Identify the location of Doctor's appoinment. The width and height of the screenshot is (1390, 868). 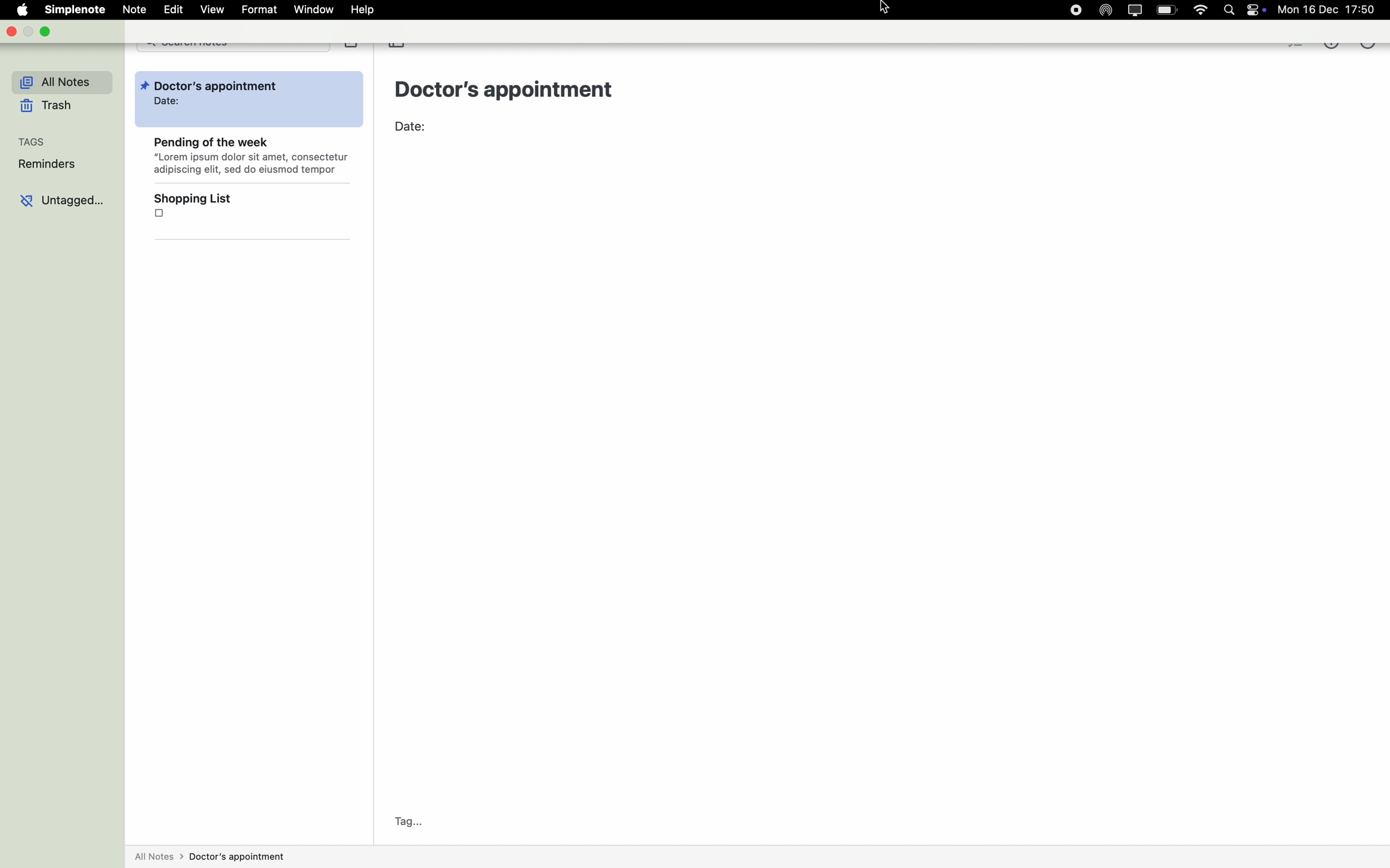
(509, 88).